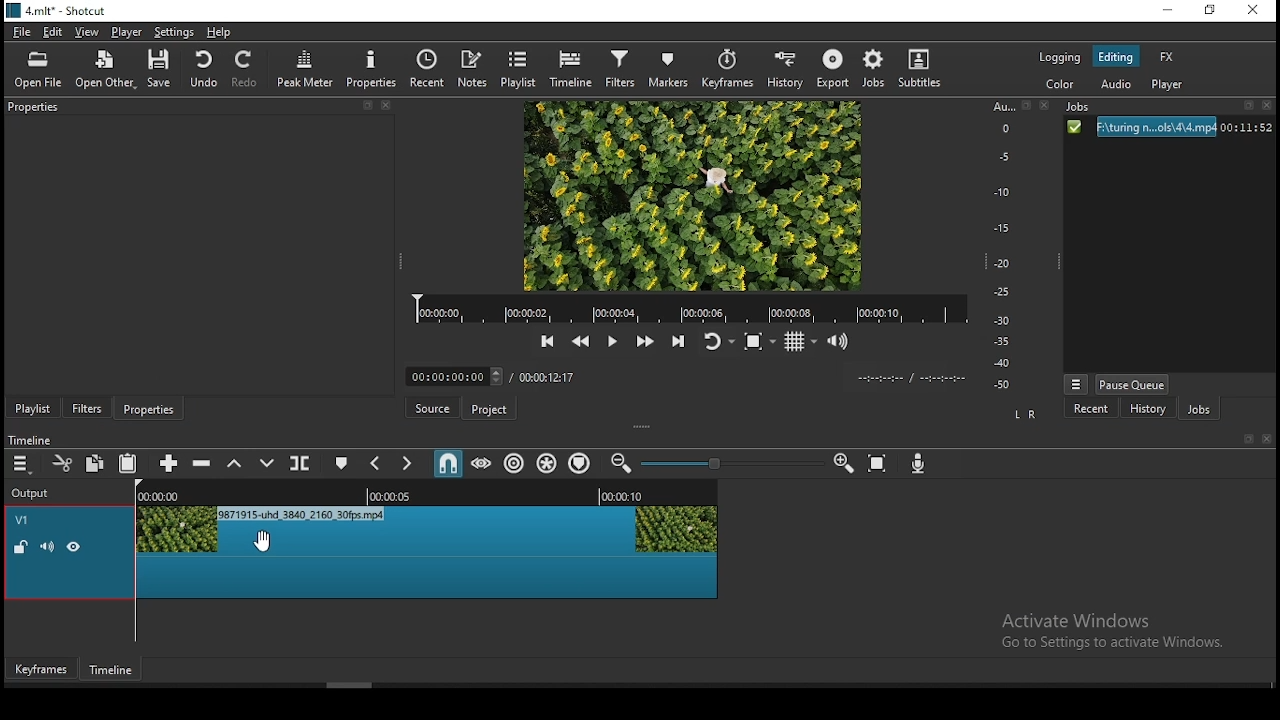 Image resolution: width=1280 pixels, height=720 pixels. Describe the element at coordinates (306, 68) in the screenshot. I see `peak meter` at that location.